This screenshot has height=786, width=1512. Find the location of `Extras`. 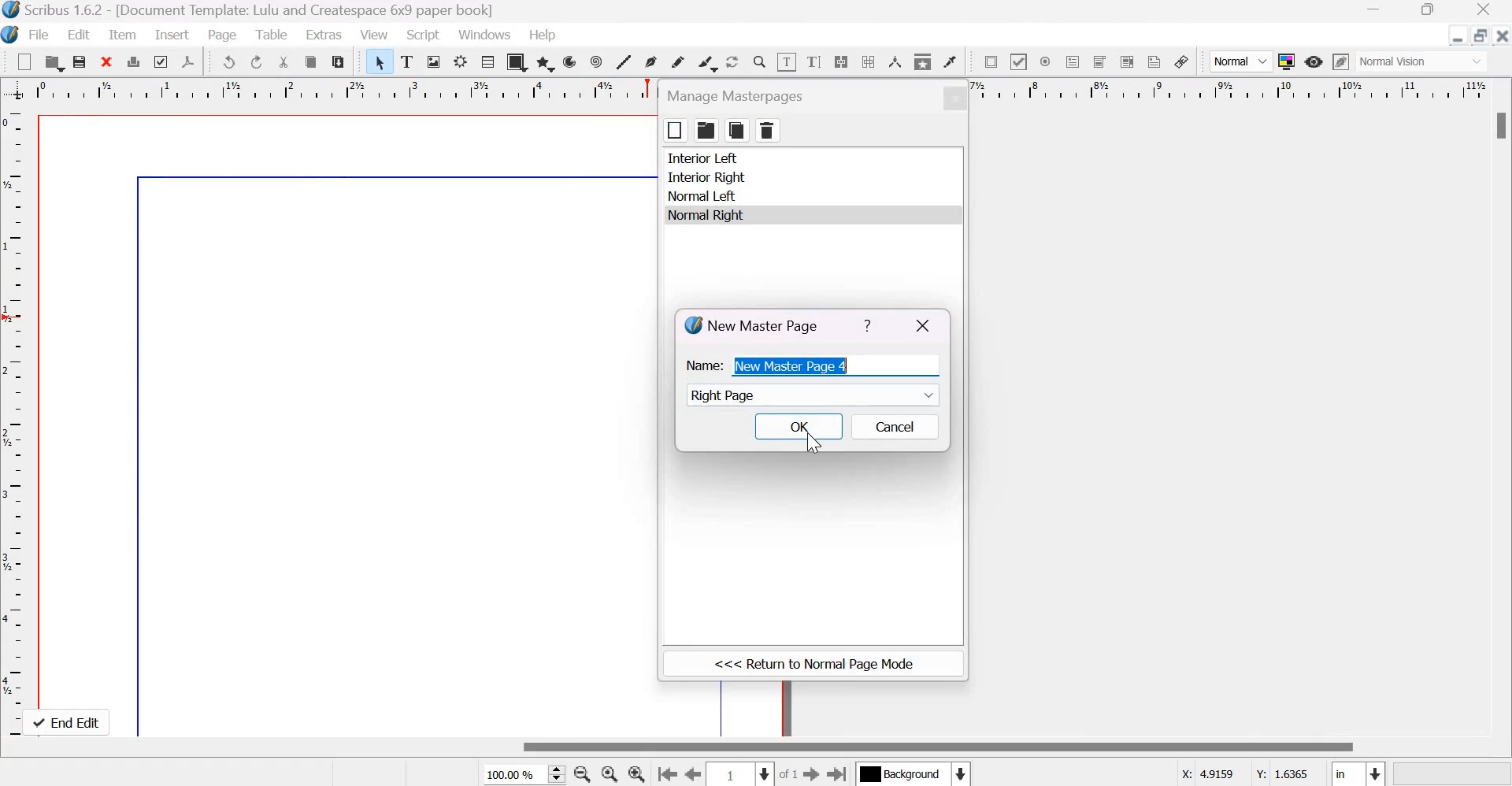

Extras is located at coordinates (323, 35).